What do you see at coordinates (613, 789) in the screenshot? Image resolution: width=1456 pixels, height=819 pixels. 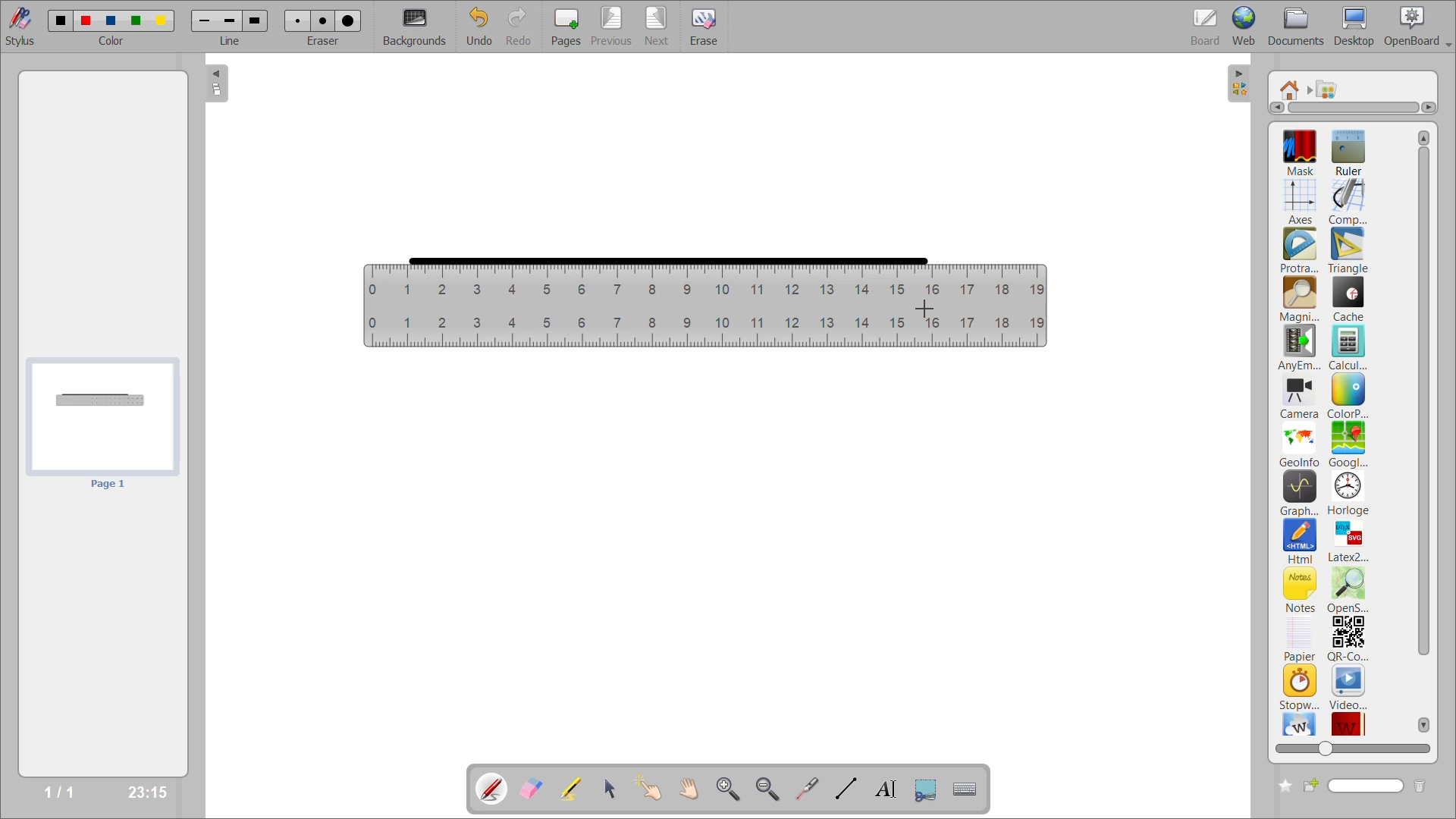 I see `select and modify objects` at bounding box center [613, 789].